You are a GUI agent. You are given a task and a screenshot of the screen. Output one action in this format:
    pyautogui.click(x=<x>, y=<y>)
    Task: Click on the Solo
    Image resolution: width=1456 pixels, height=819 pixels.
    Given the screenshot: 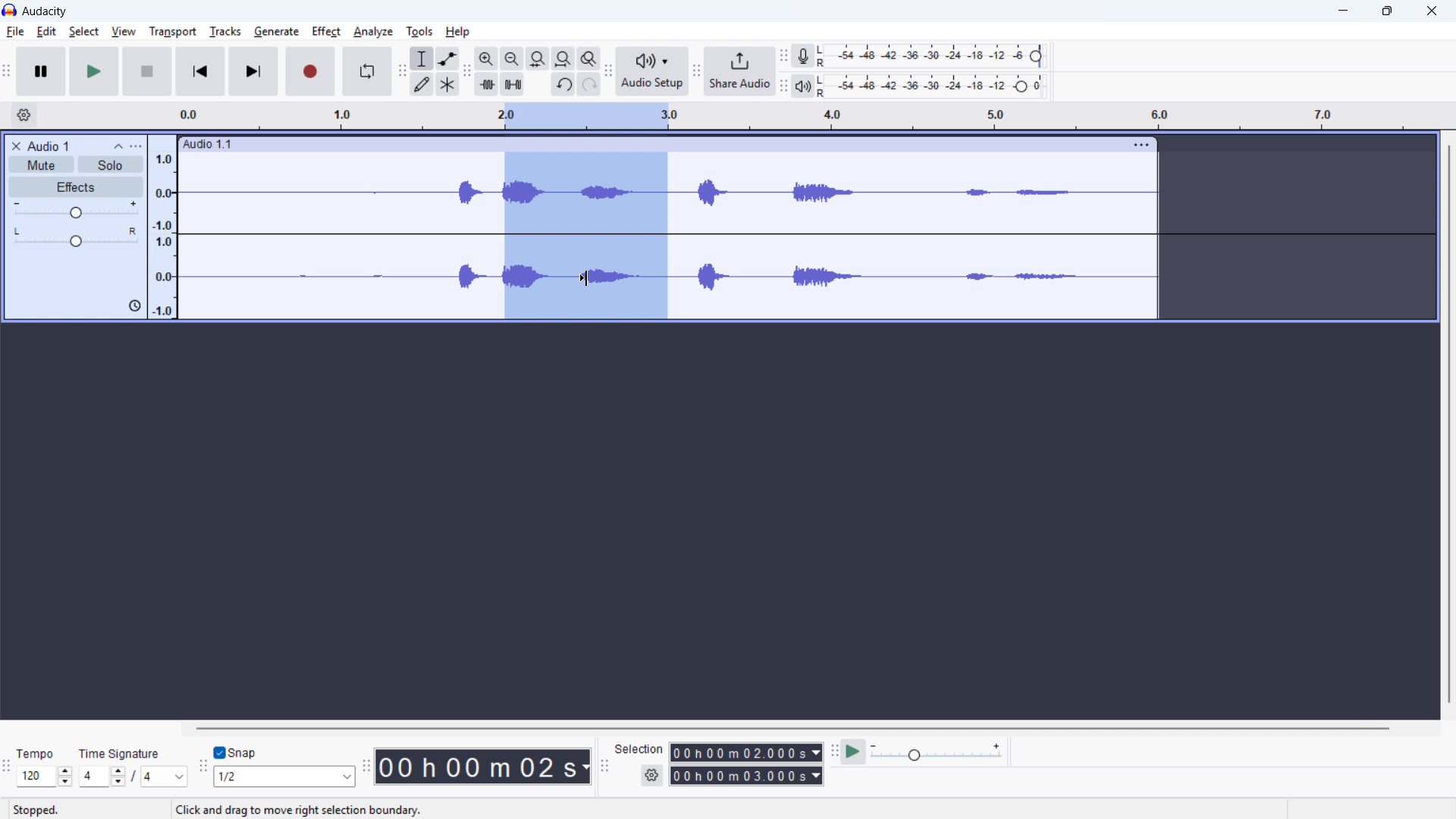 What is the action you would take?
    pyautogui.click(x=111, y=165)
    